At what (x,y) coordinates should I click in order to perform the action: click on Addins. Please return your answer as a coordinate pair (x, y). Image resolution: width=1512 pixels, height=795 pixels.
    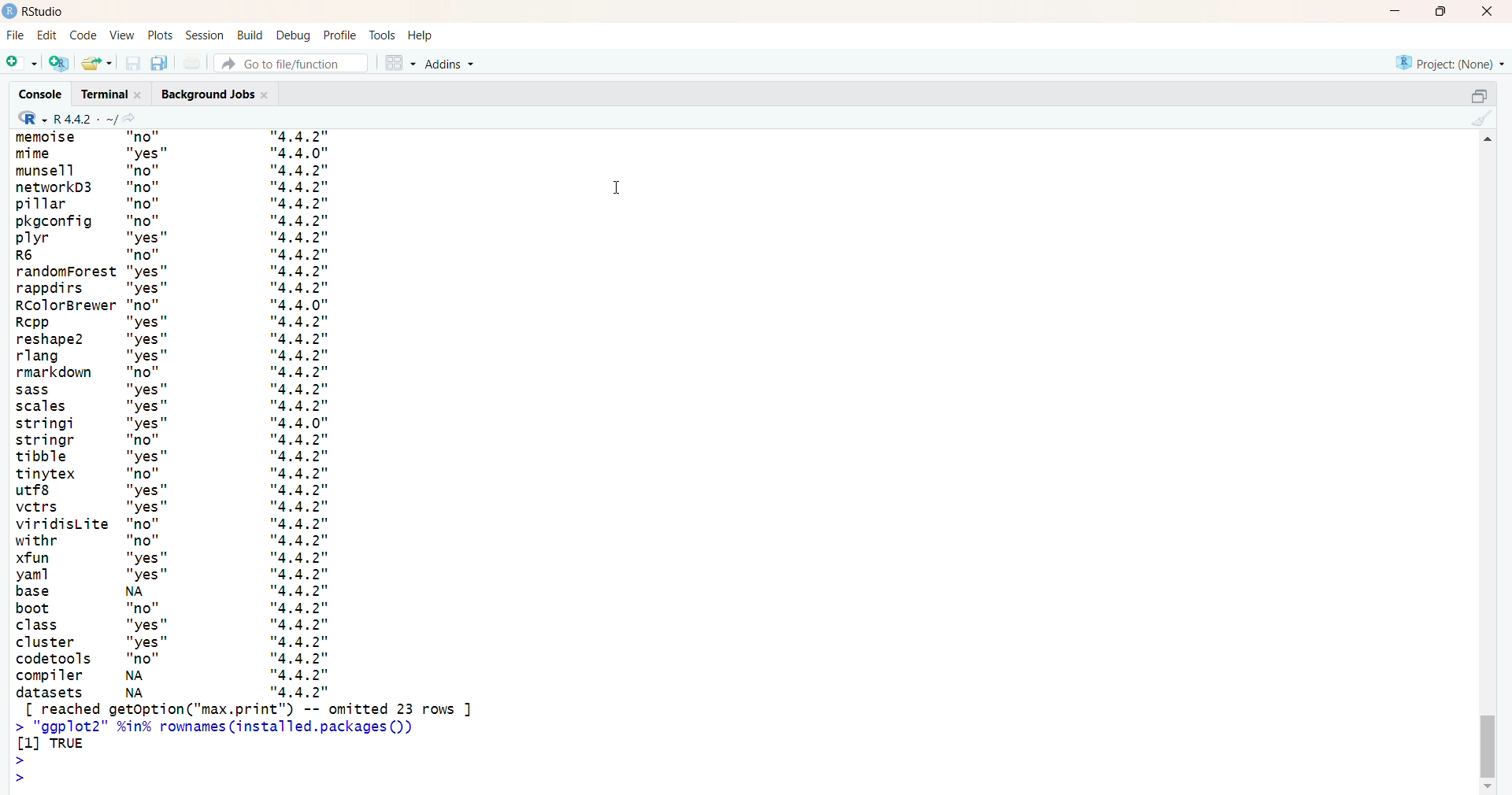
    Looking at the image, I should click on (453, 65).